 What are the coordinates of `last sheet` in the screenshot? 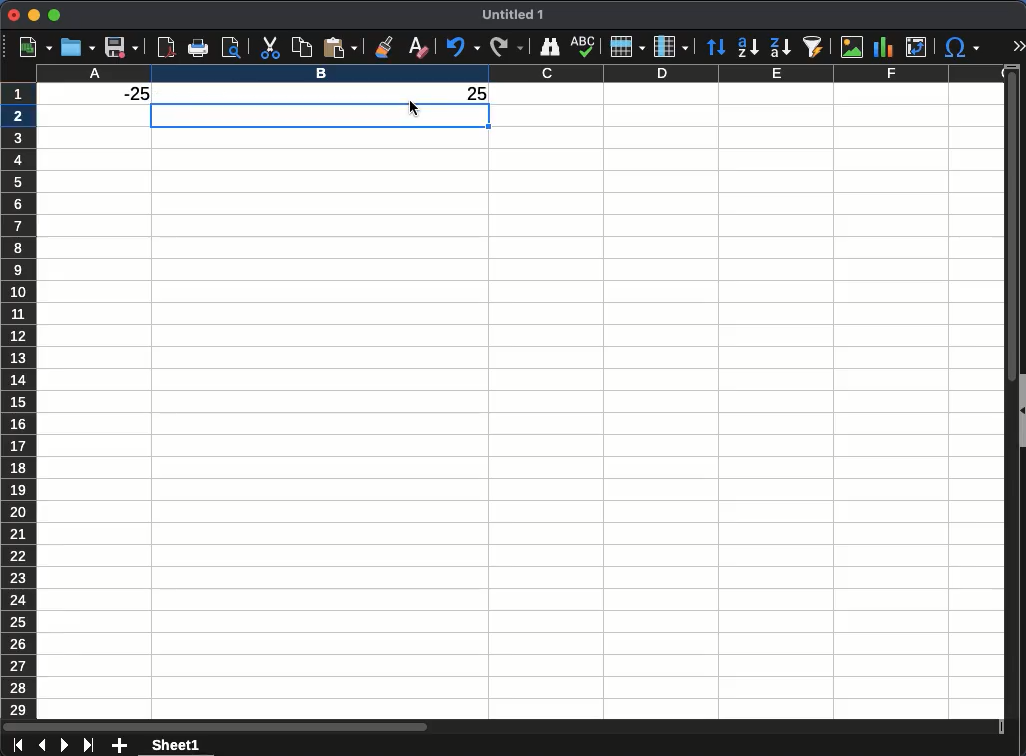 It's located at (89, 745).